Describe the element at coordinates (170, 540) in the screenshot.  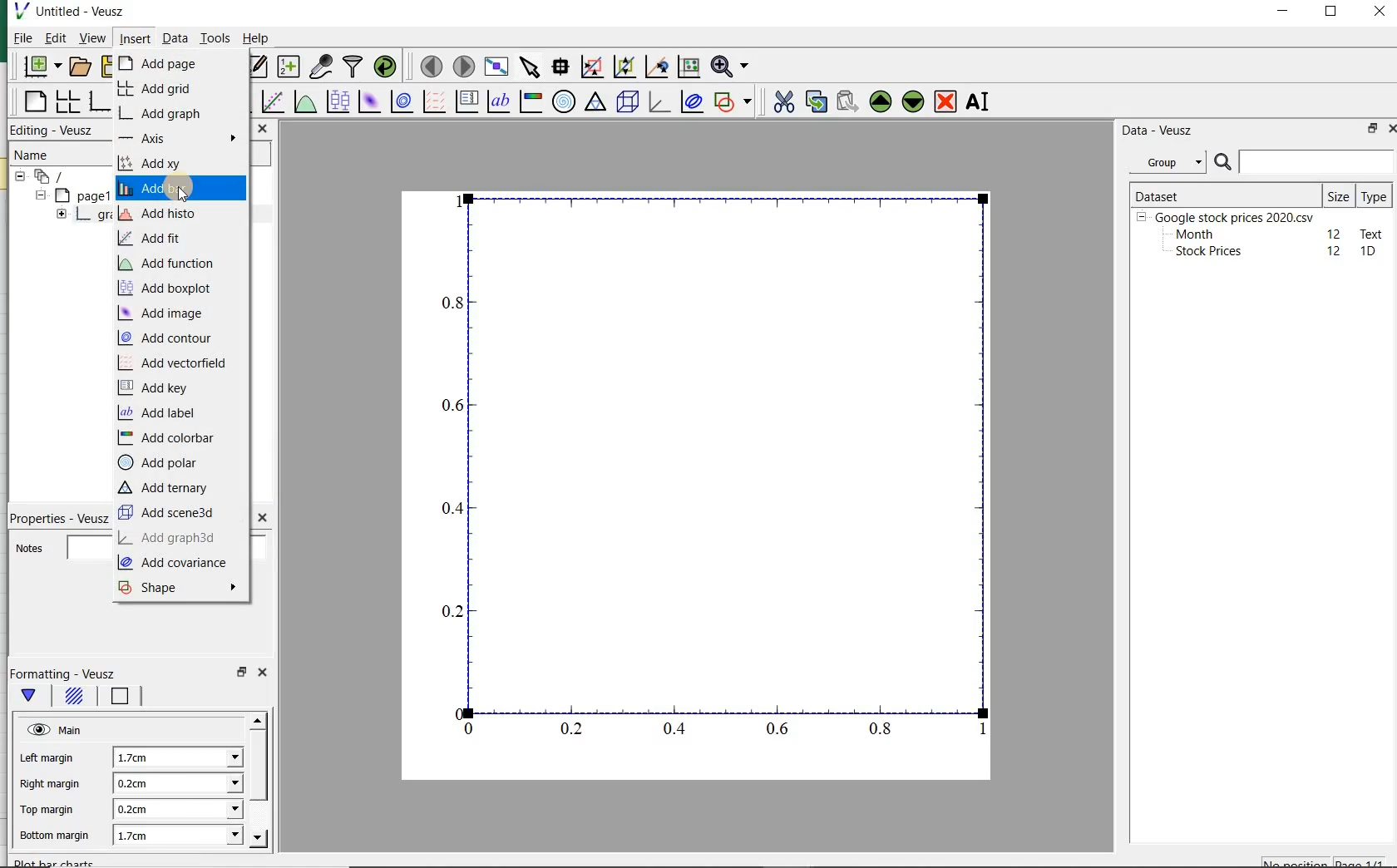
I see `add graph3d` at that location.